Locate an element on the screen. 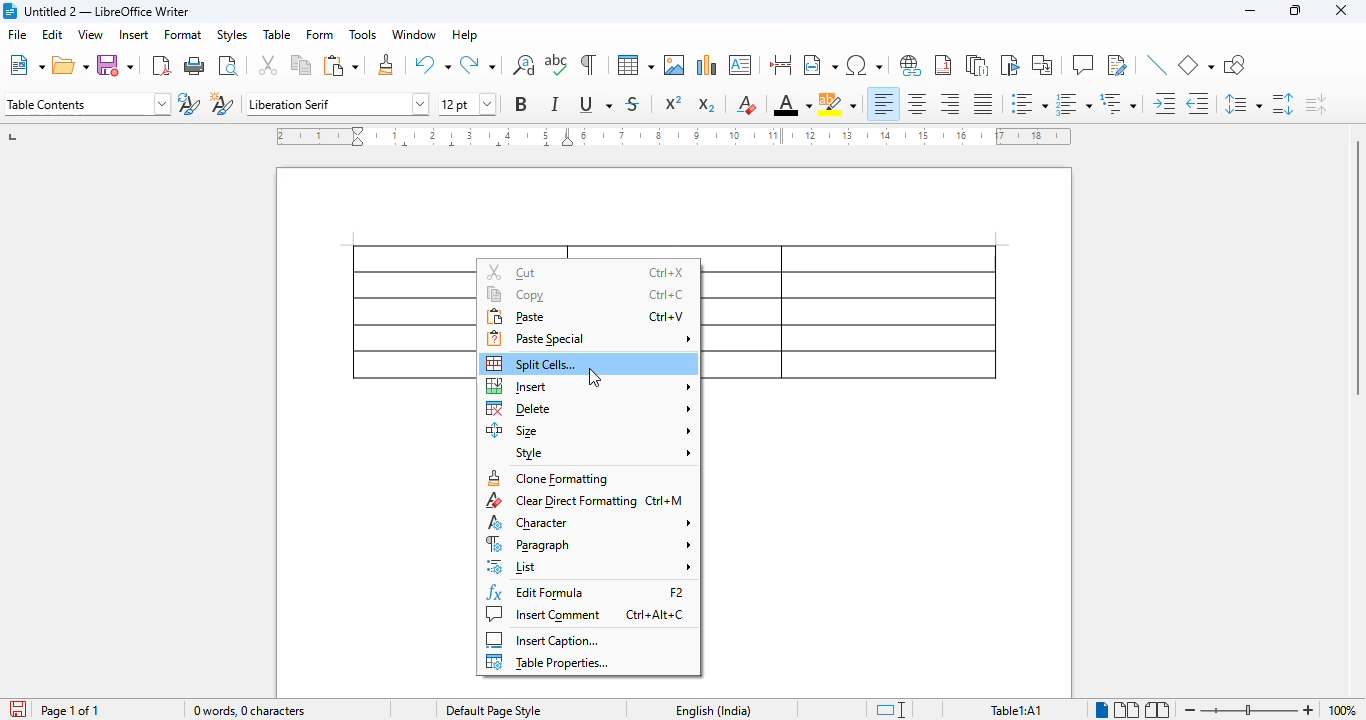  clear direct formatting is located at coordinates (560, 501).